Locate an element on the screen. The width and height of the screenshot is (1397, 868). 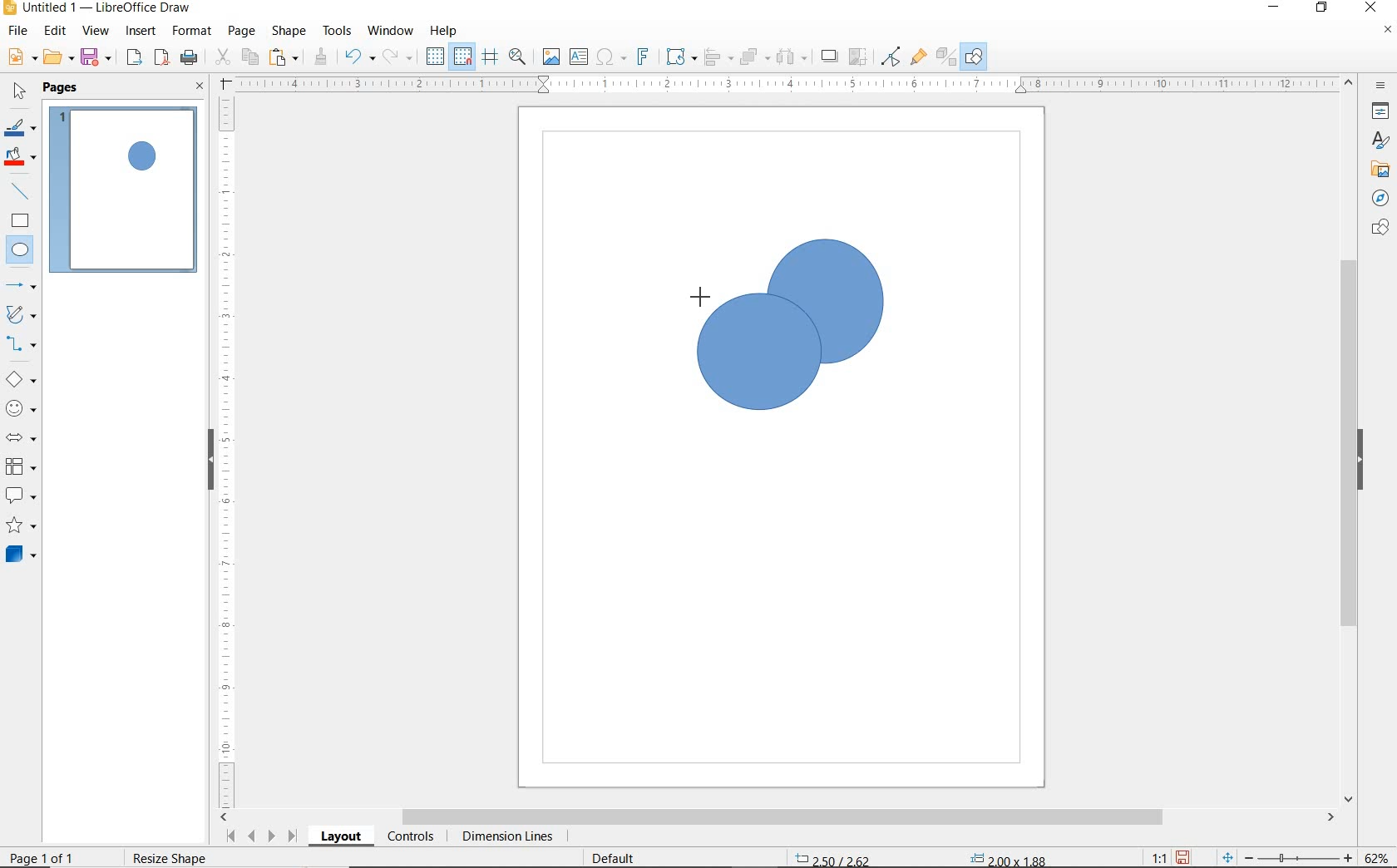
3D OBJECTS is located at coordinates (19, 556).